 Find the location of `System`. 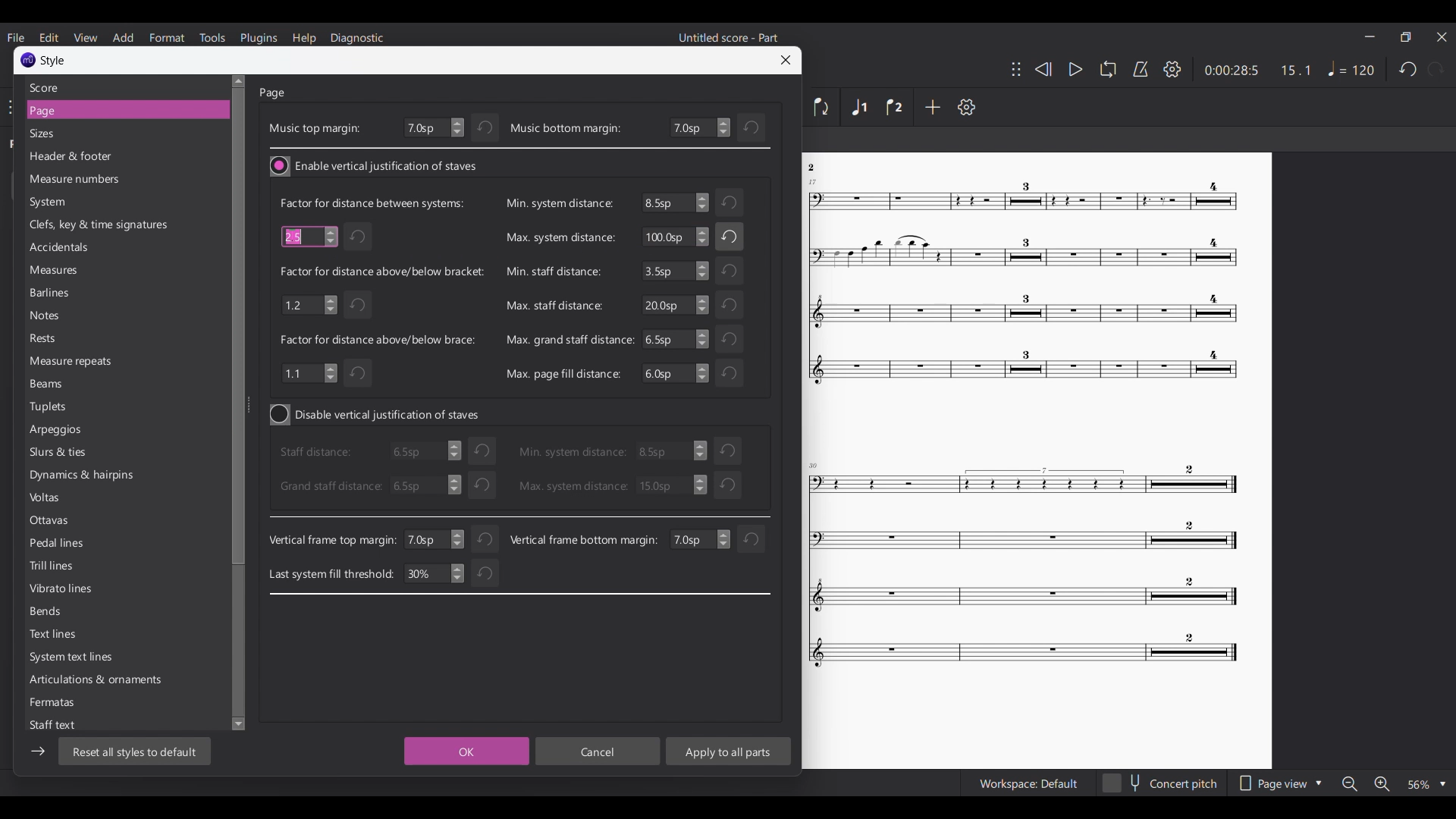

System is located at coordinates (99, 202).